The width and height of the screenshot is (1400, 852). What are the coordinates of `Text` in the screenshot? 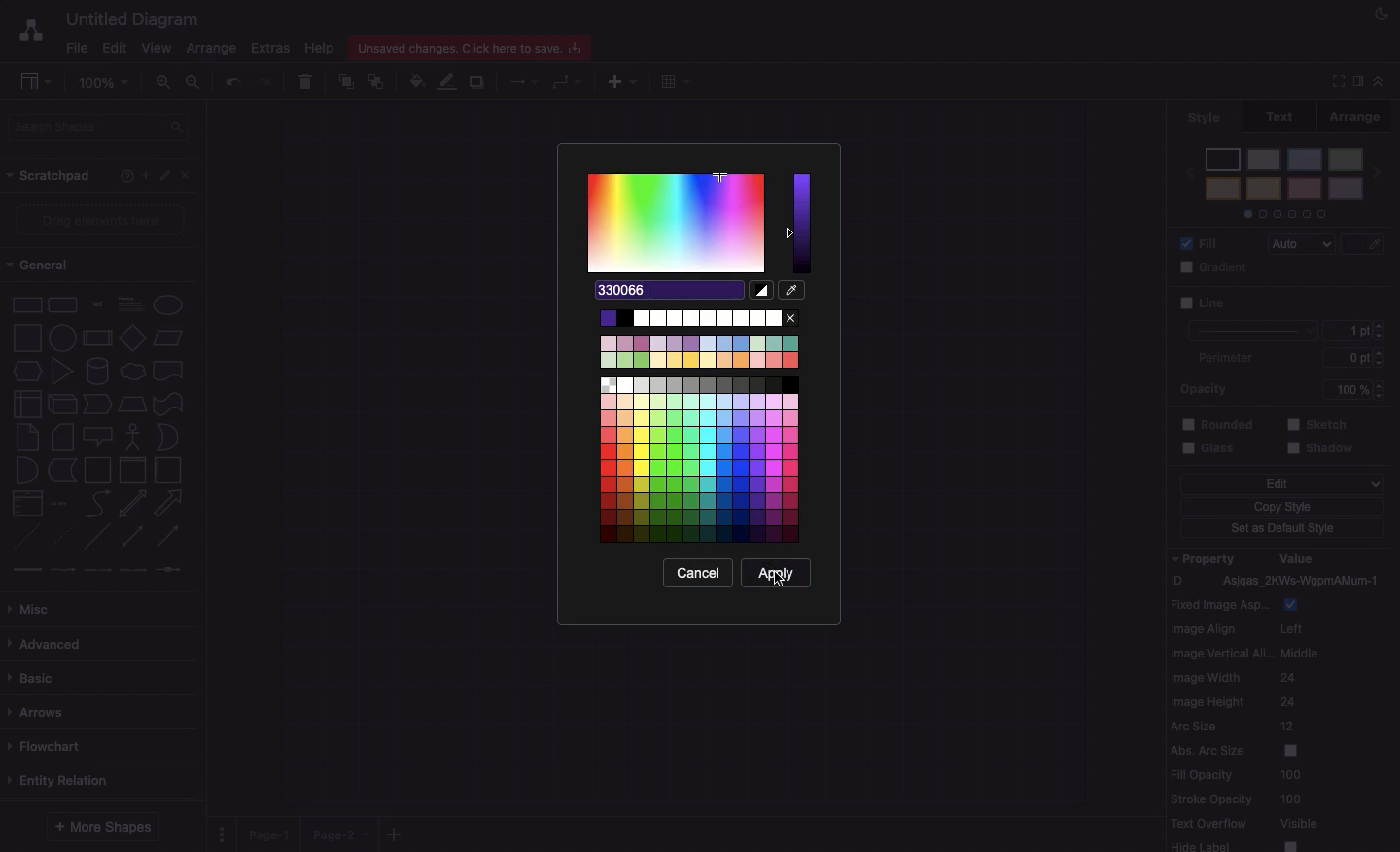 It's located at (1286, 115).